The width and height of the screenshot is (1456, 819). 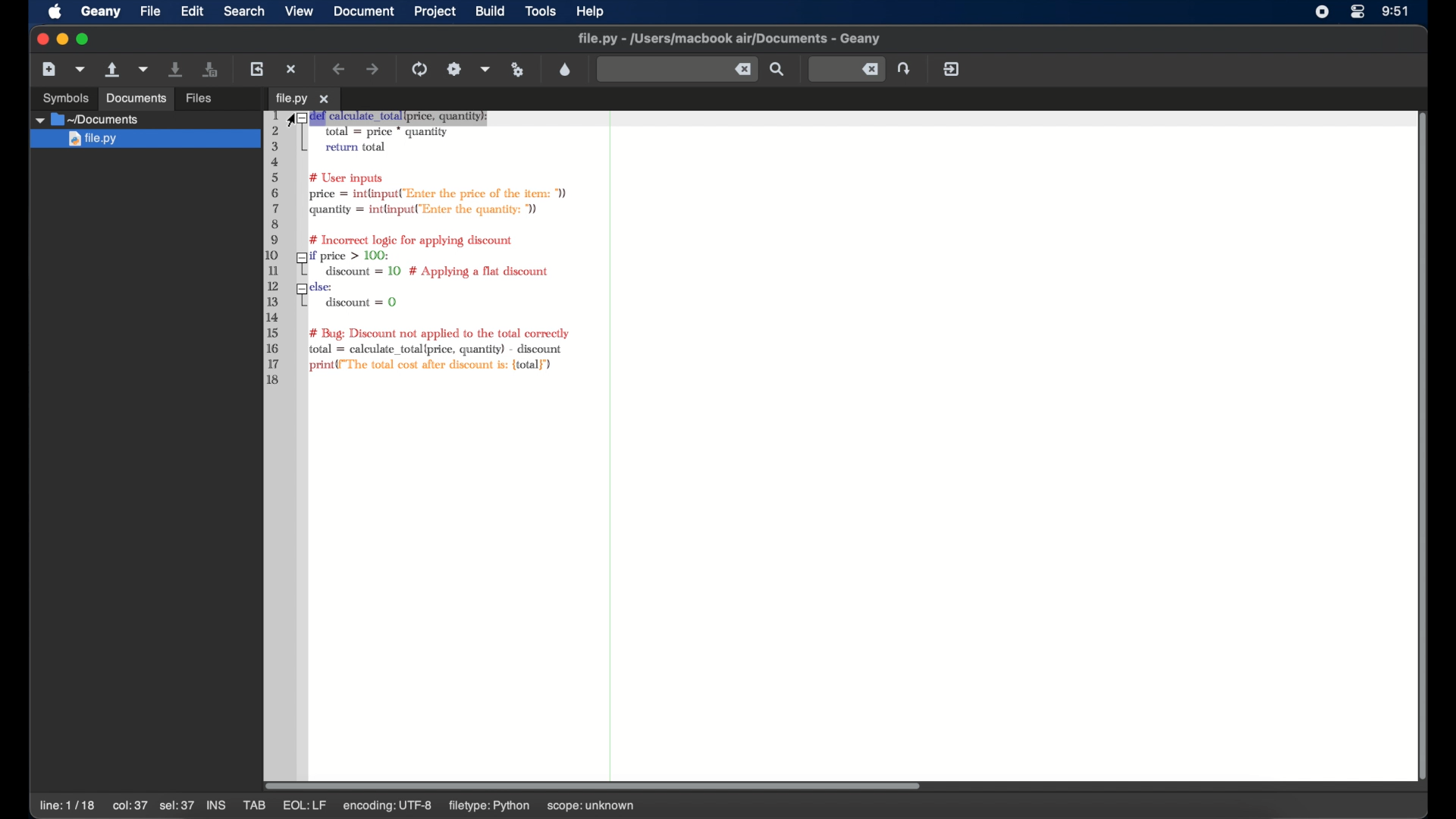 I want to click on document, so click(x=364, y=11).